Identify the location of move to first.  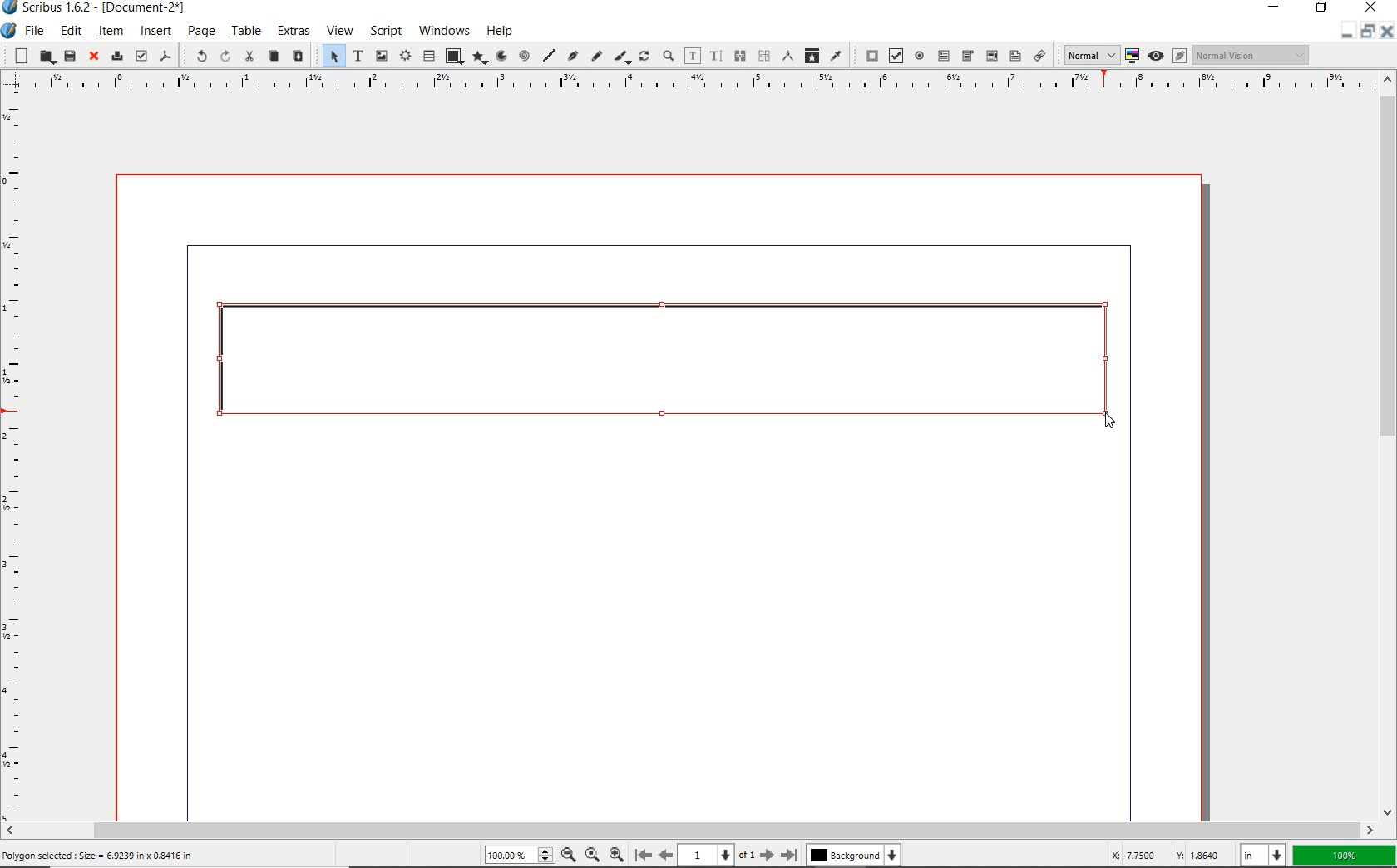
(642, 854).